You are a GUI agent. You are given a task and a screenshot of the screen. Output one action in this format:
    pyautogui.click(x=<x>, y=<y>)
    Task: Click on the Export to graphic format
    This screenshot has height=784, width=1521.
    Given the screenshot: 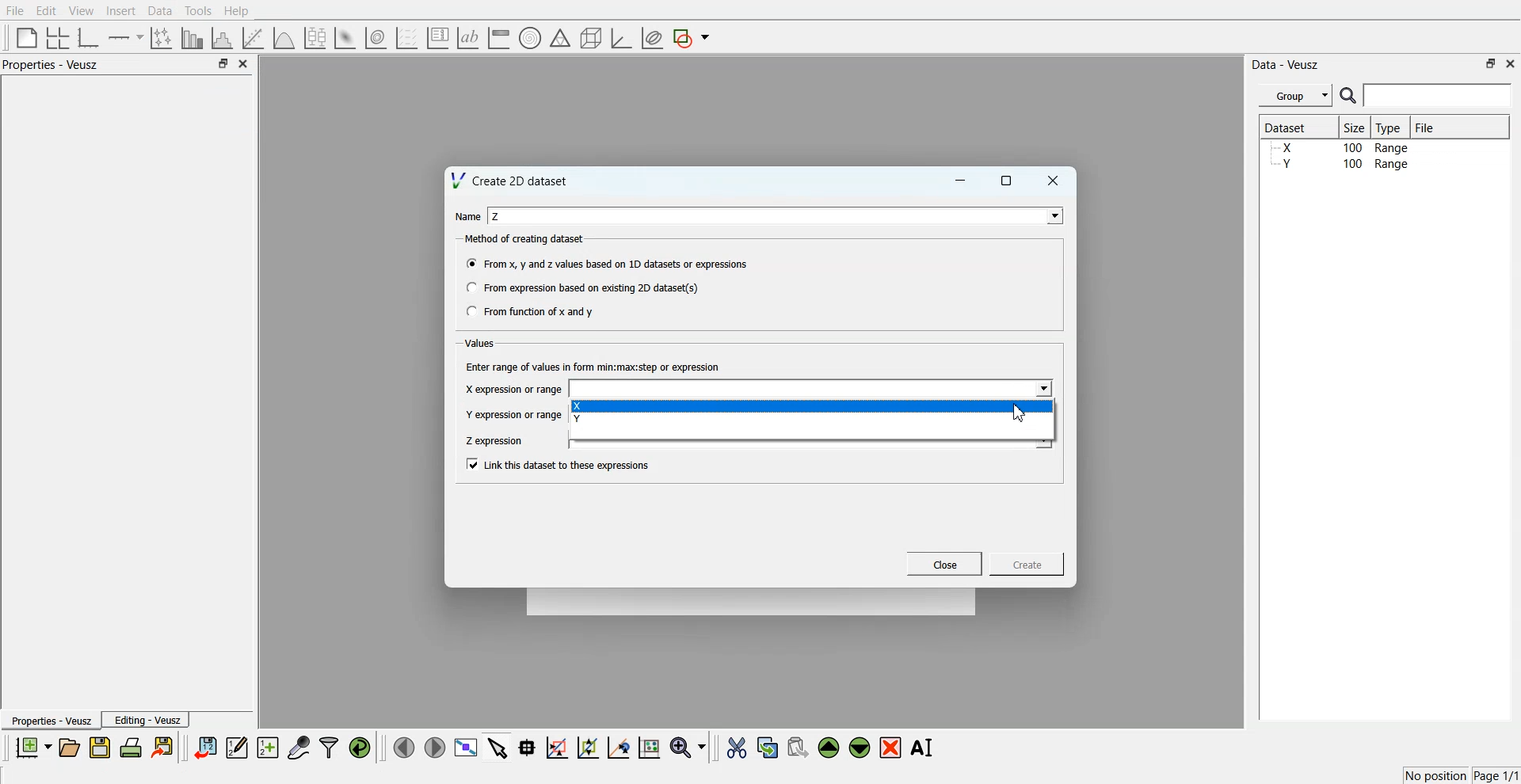 What is the action you would take?
    pyautogui.click(x=164, y=747)
    